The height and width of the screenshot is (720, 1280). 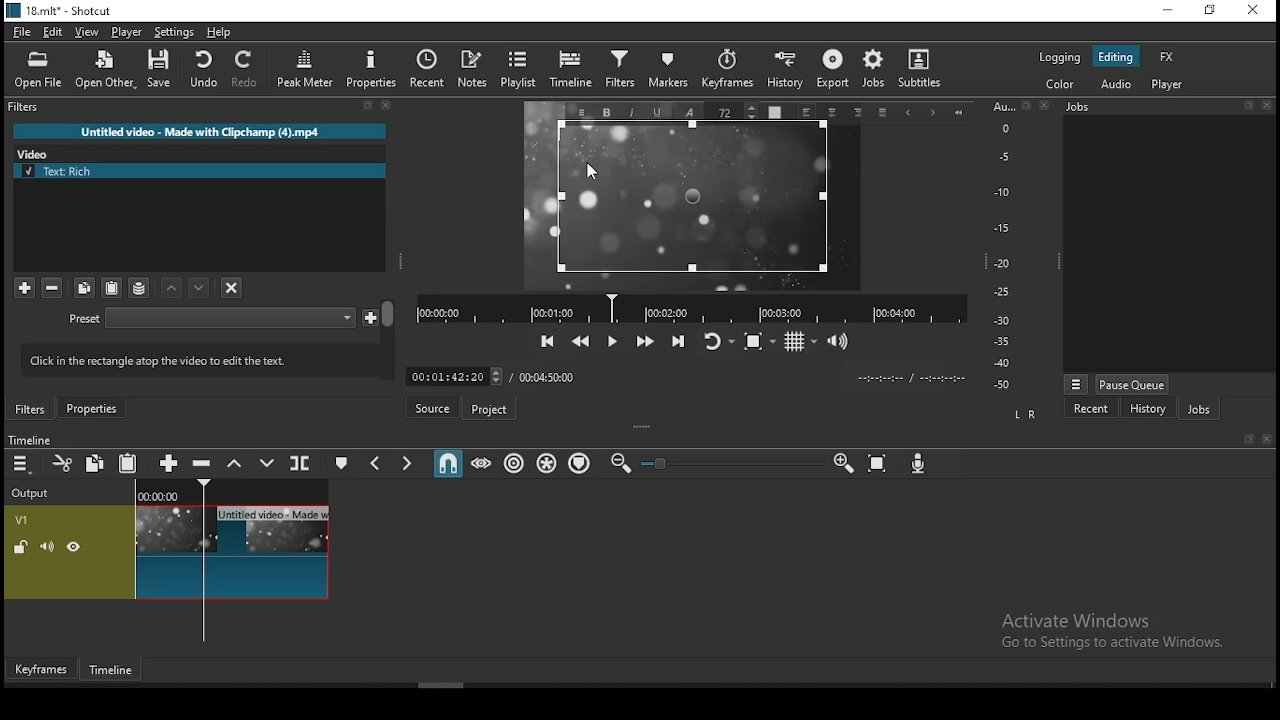 I want to click on skip to the next point, so click(x=679, y=340).